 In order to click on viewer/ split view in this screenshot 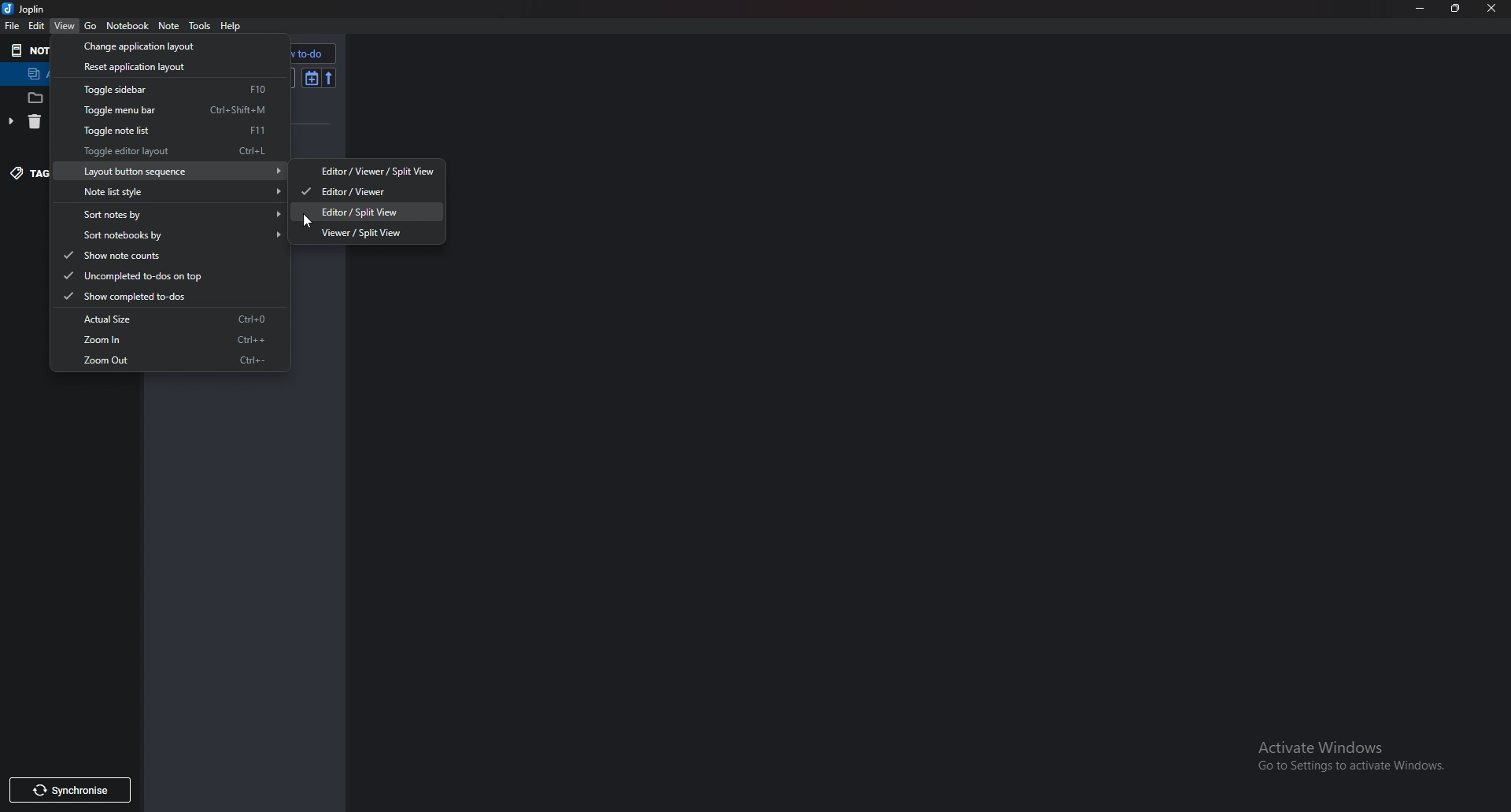, I will do `click(374, 232)`.